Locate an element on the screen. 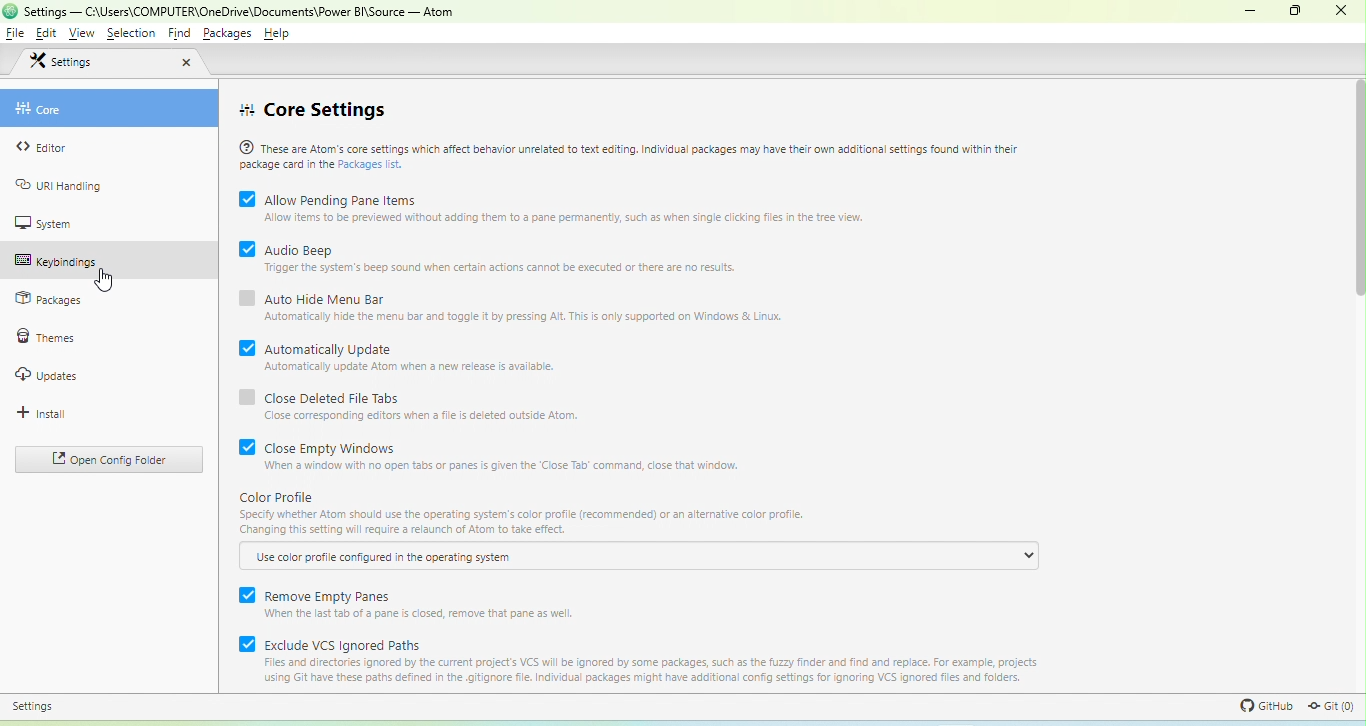 This screenshot has height=726, width=1366. packages menu is located at coordinates (227, 33).